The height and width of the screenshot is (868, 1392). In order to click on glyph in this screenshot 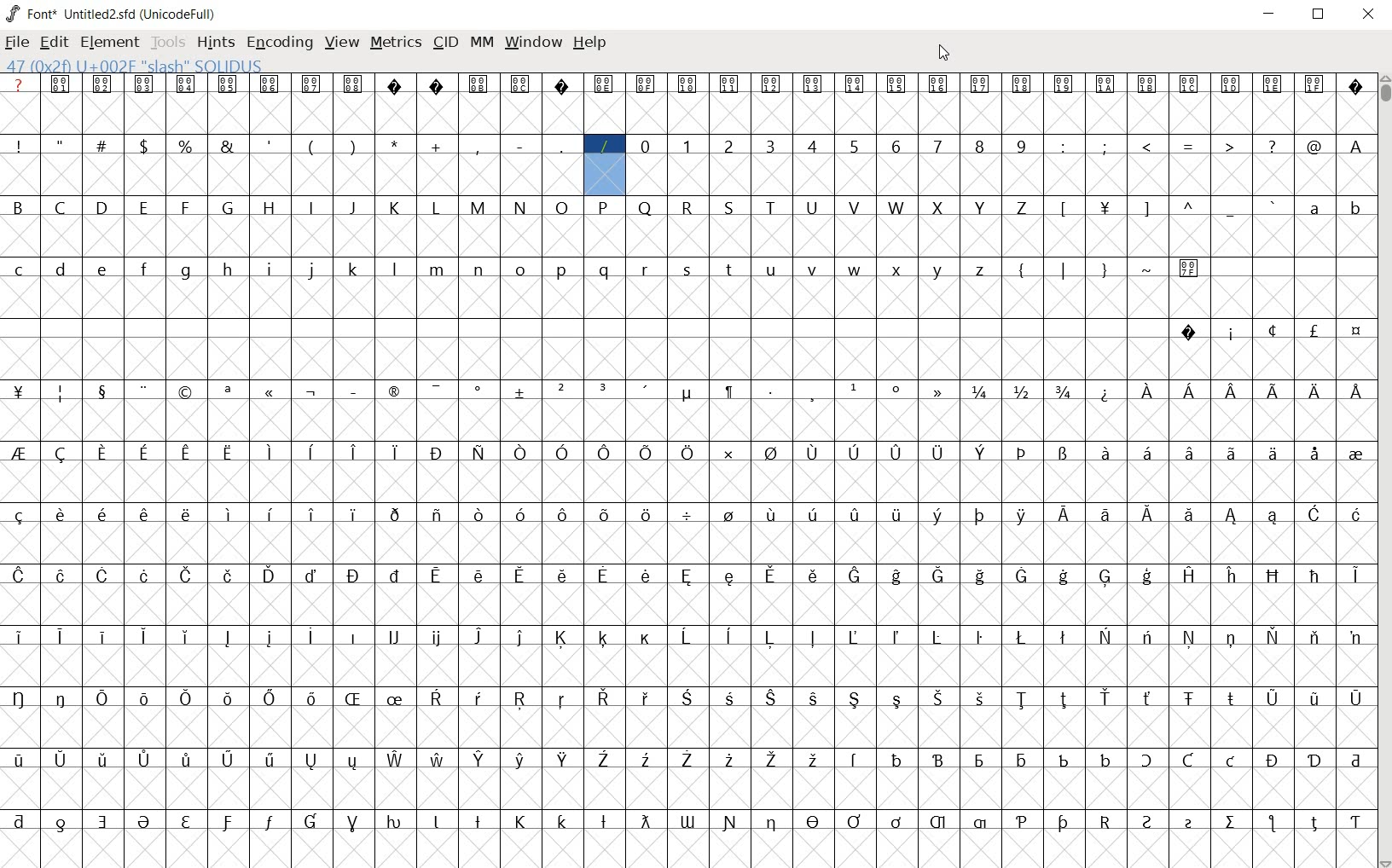, I will do `click(521, 575)`.